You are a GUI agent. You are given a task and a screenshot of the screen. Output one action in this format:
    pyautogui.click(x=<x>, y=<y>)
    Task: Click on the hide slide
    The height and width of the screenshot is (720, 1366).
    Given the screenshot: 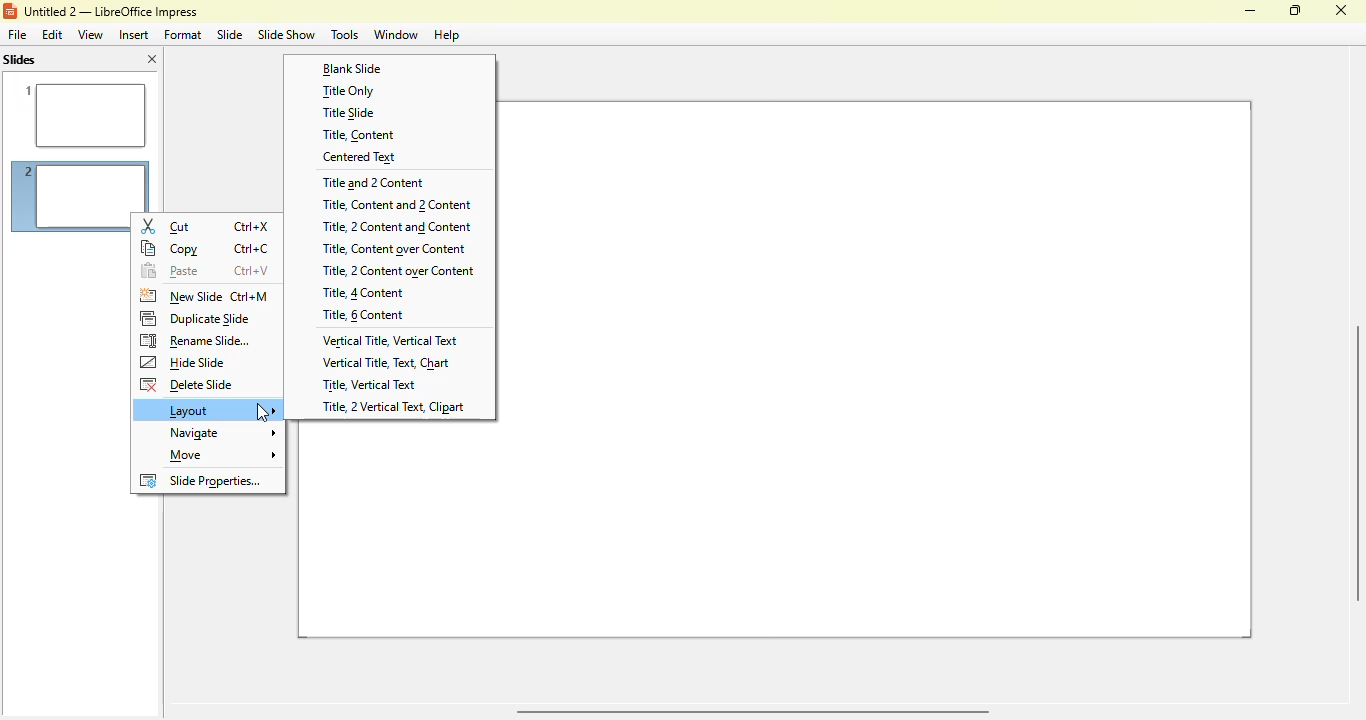 What is the action you would take?
    pyautogui.click(x=184, y=363)
    